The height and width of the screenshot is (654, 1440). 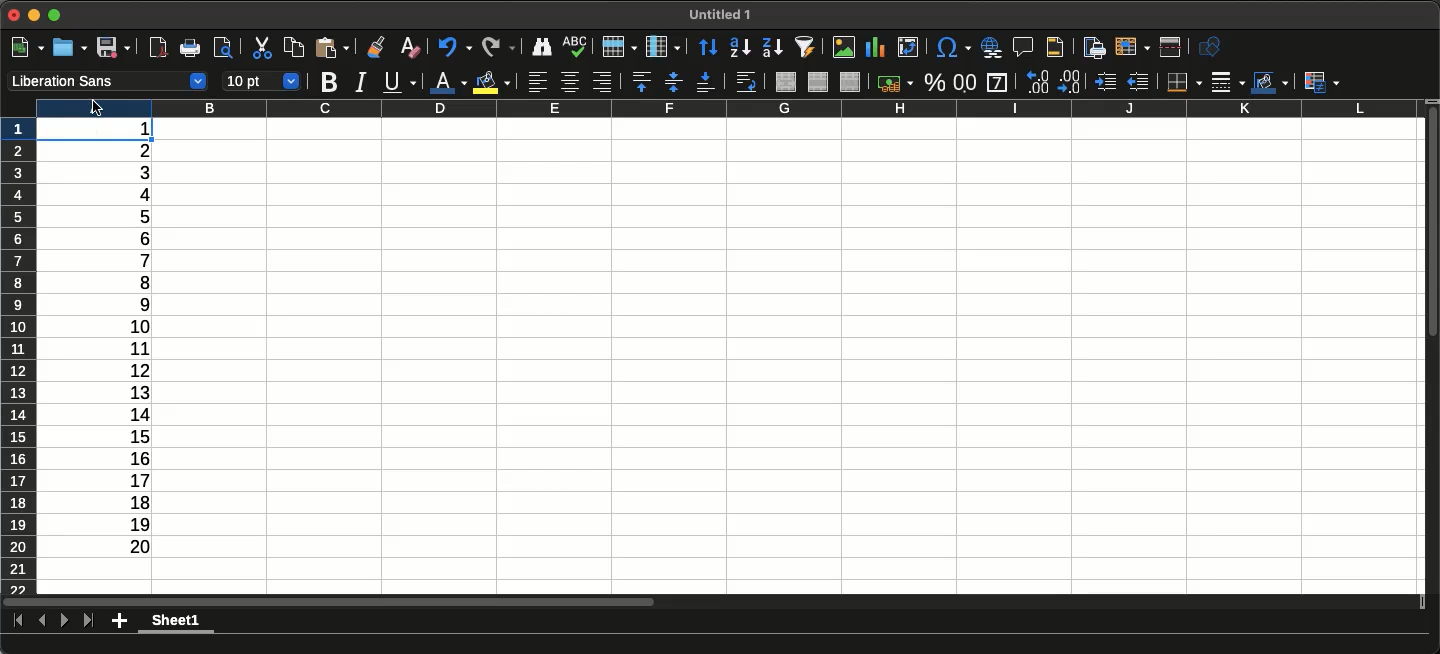 What do you see at coordinates (746, 83) in the screenshot?
I see `Wrap text` at bounding box center [746, 83].